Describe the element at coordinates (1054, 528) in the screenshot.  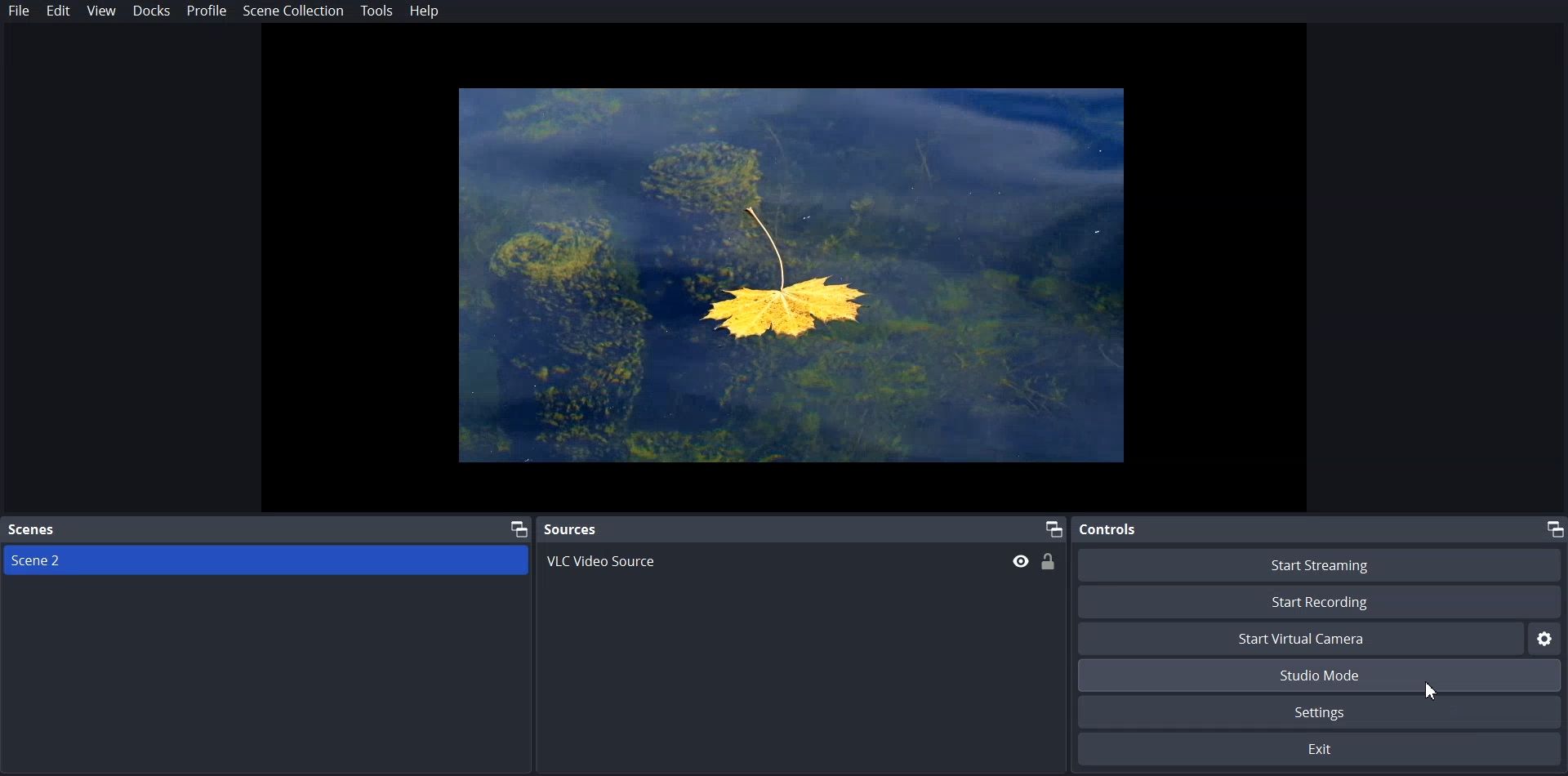
I see `Maximize` at that location.